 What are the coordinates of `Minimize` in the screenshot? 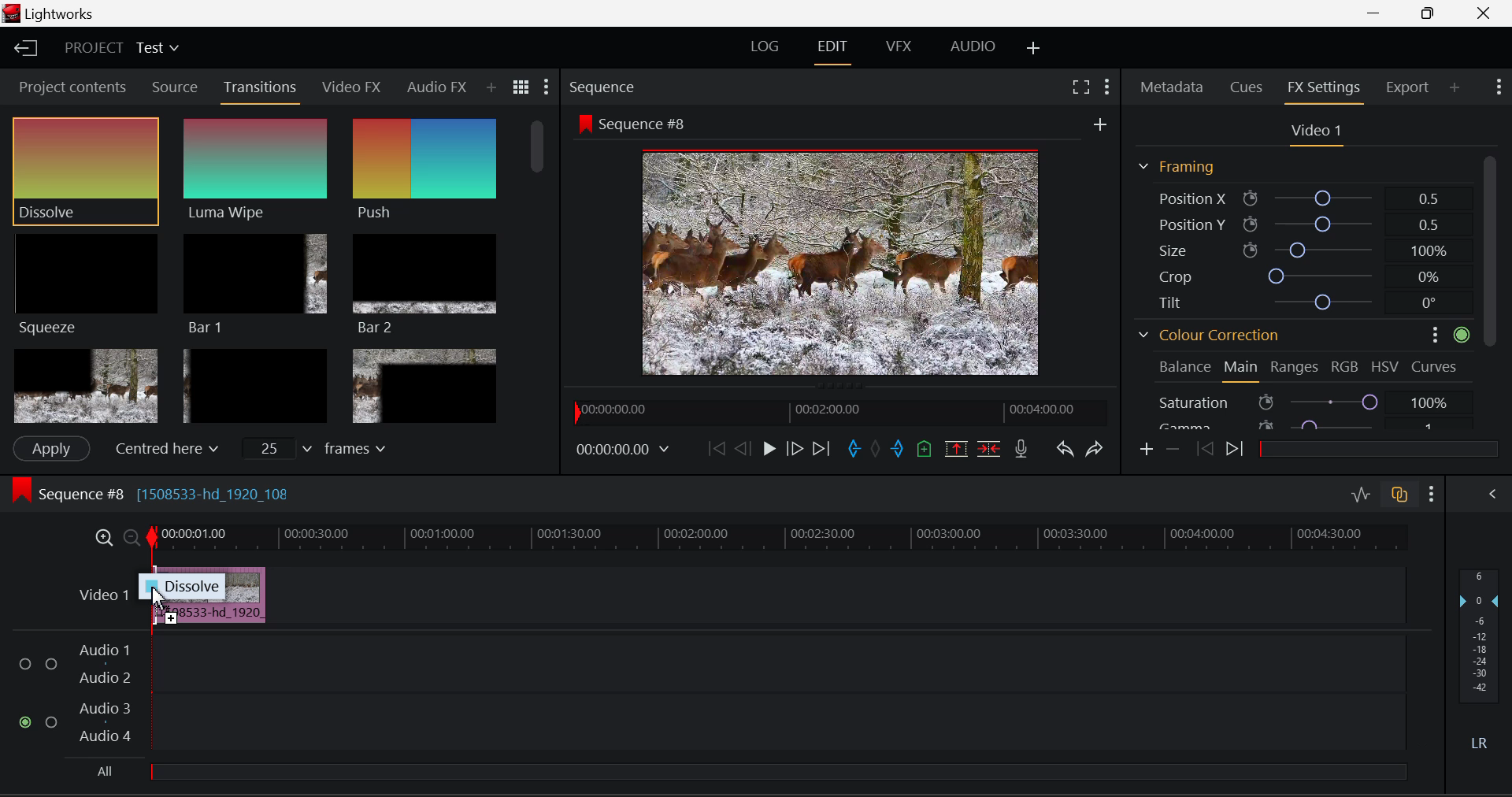 It's located at (1431, 13).